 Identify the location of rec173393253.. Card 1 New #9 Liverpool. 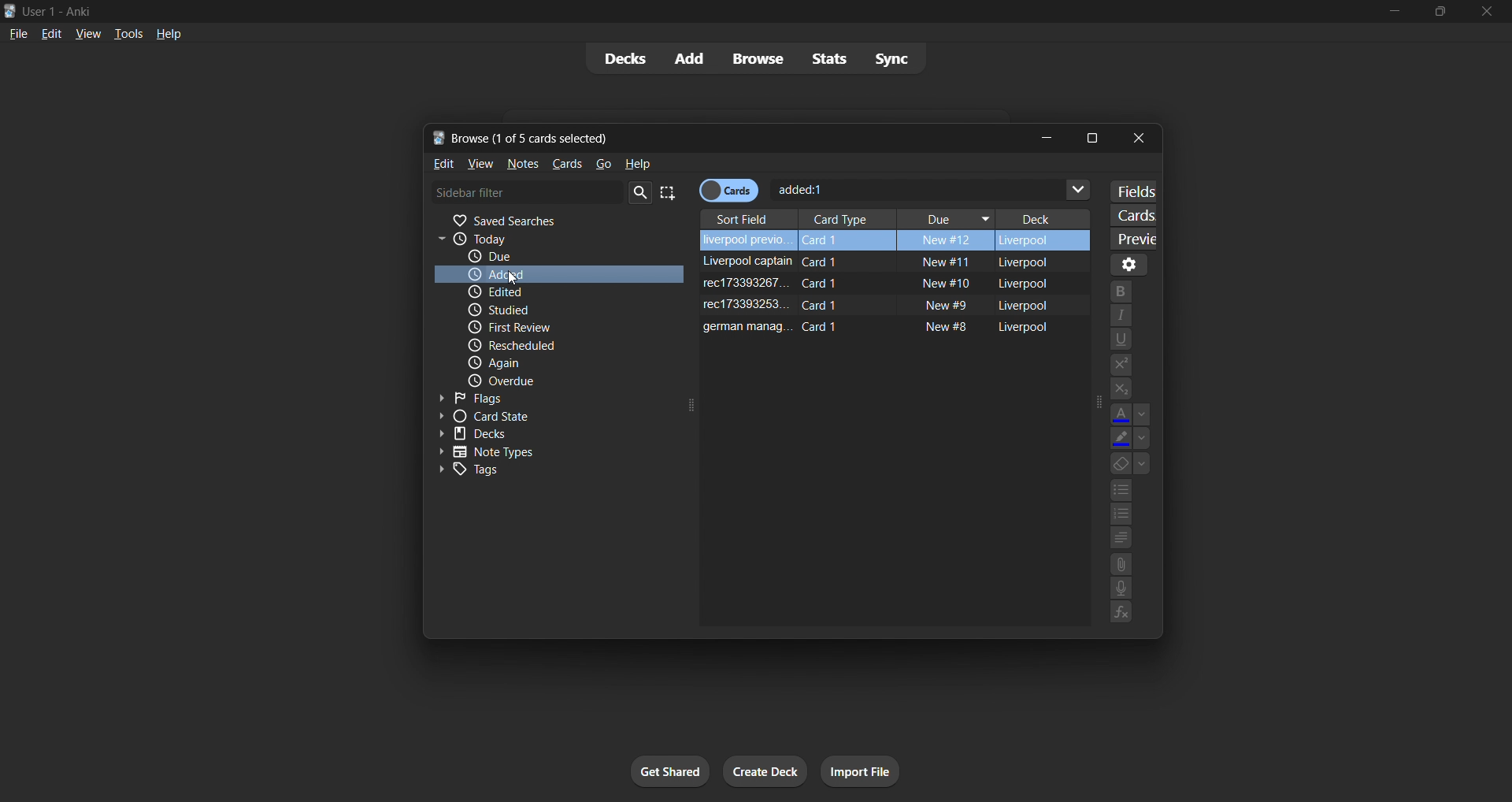
(878, 306).